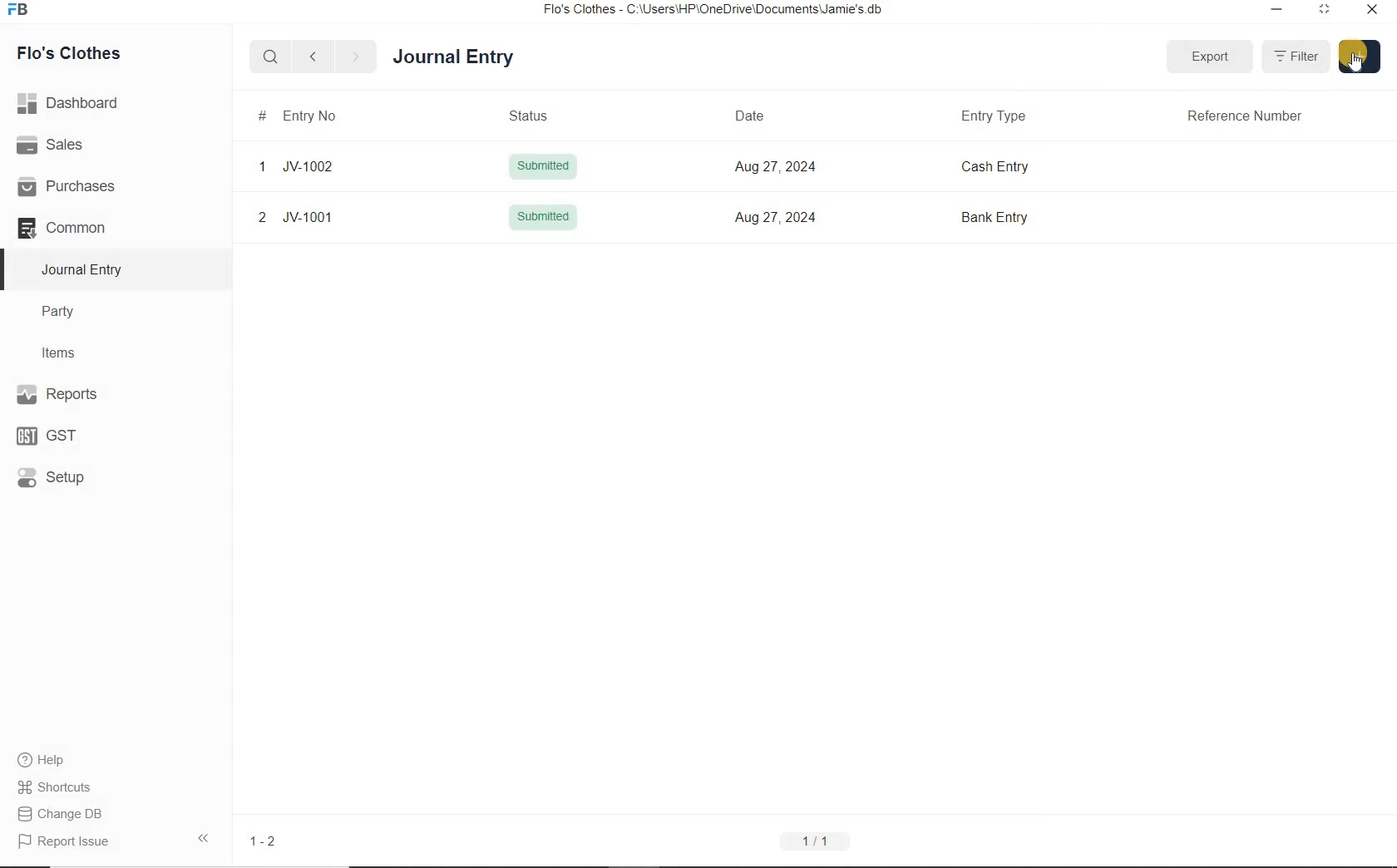  Describe the element at coordinates (804, 167) in the screenshot. I see `1 Jv-1002 ‘Submitted Aug 27, 2024 Cash Entry` at that location.